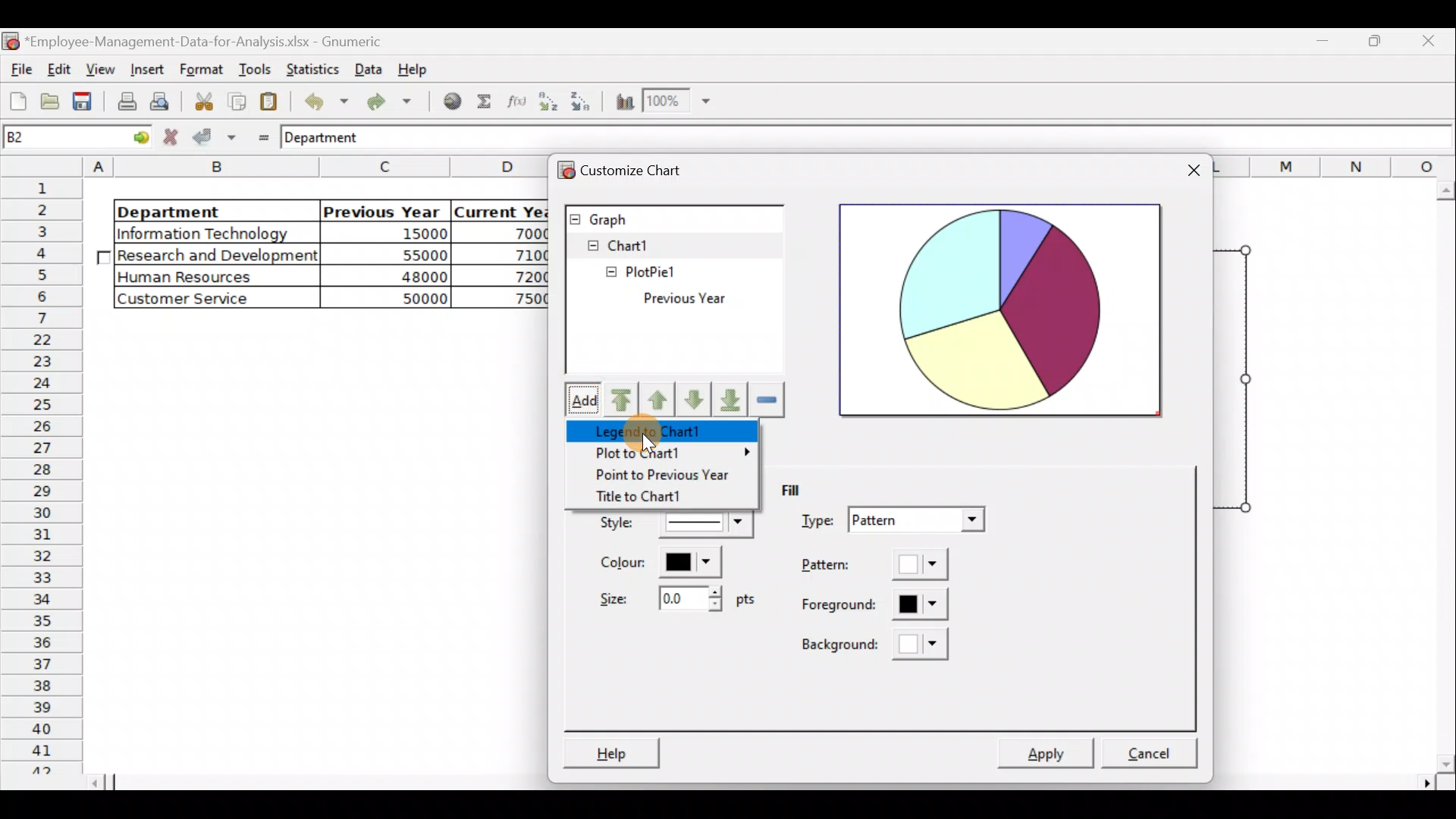  Describe the element at coordinates (654, 431) in the screenshot. I see `Legend to chart1` at that location.